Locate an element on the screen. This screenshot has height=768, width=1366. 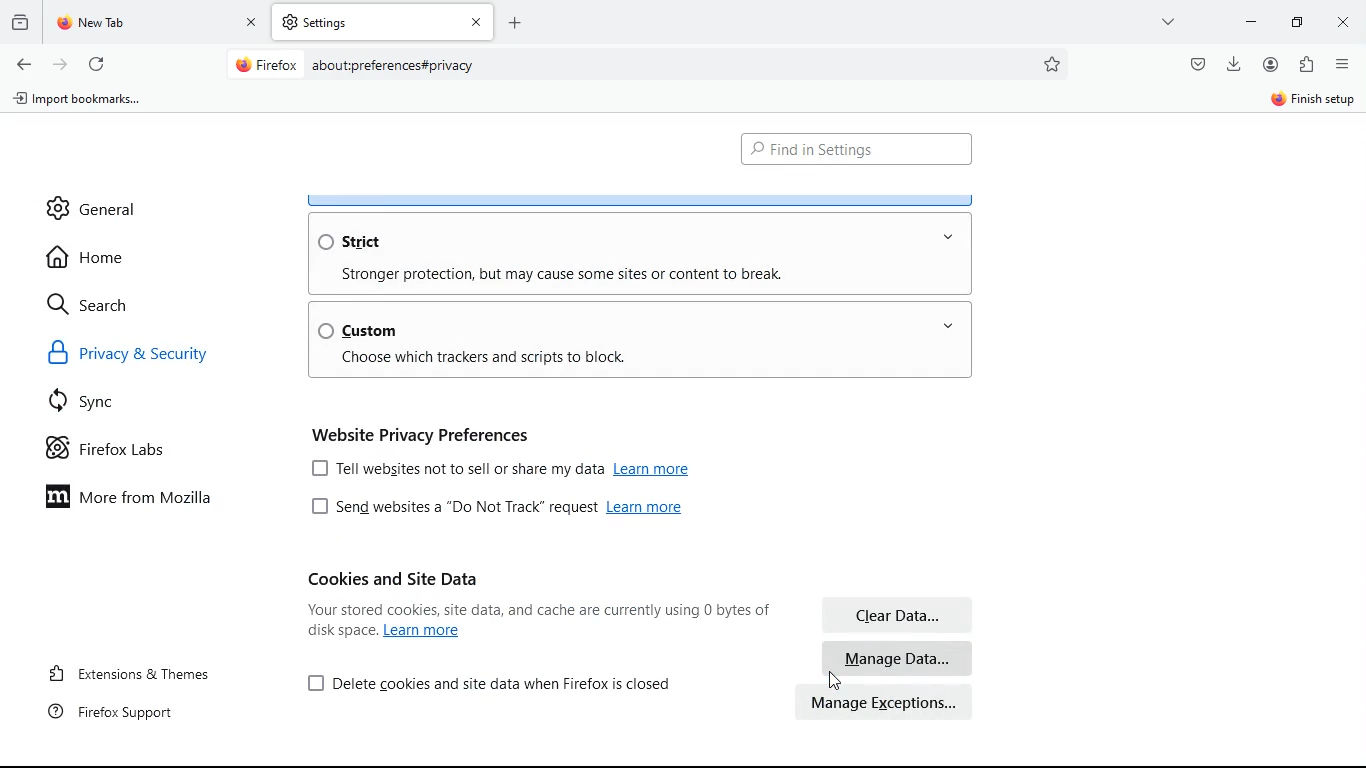
[J Delete cookies and site data when Firefox is closed is located at coordinates (492, 682).